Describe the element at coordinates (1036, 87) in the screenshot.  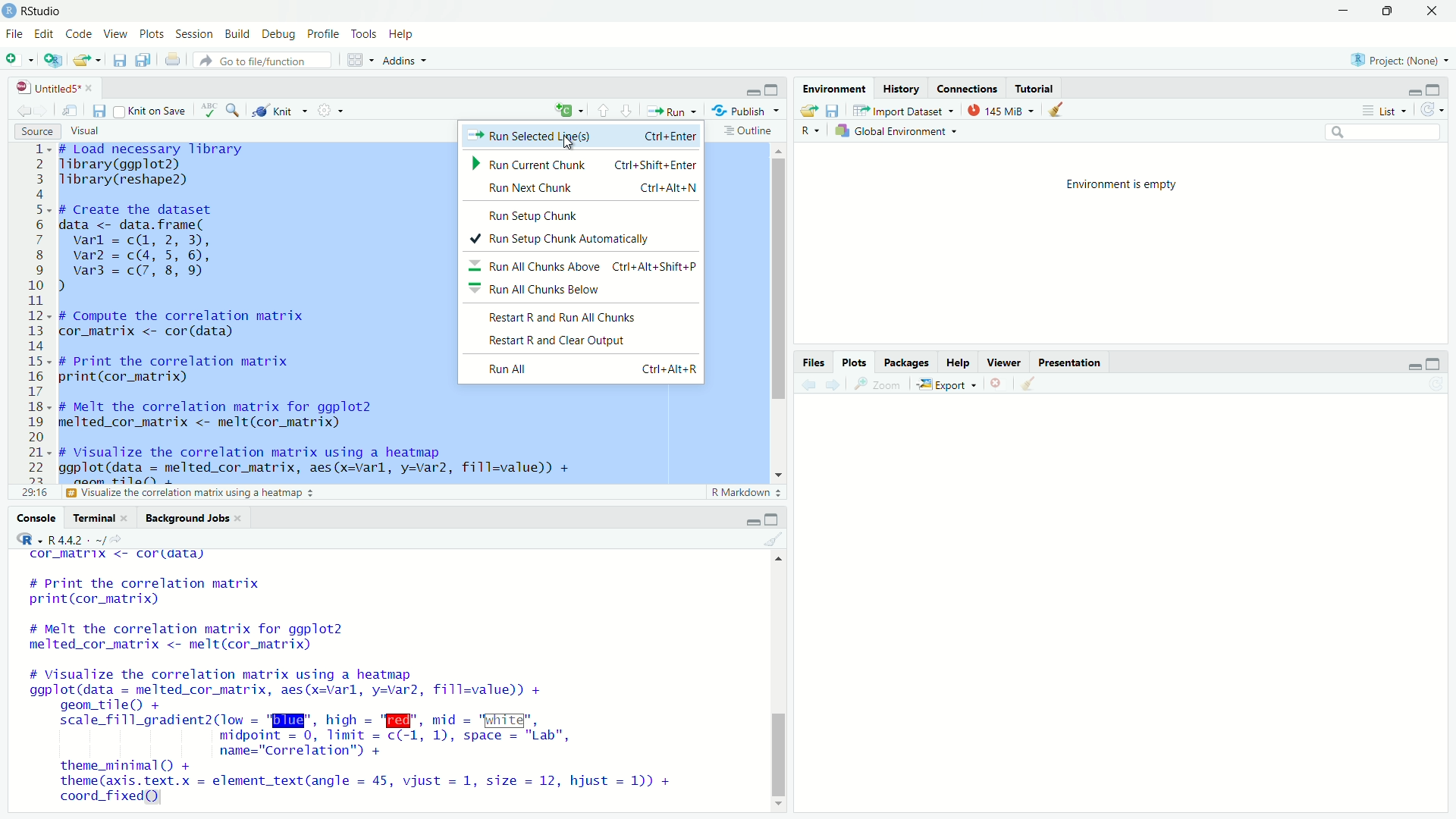
I see `tutorial` at that location.